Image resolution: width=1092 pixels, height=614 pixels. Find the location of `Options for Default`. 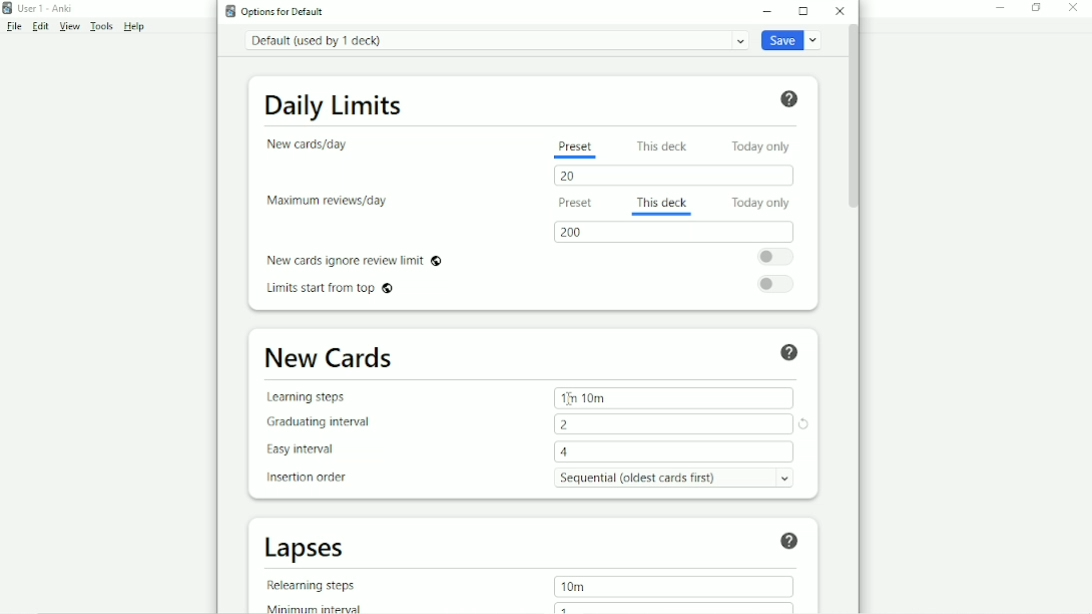

Options for Default is located at coordinates (275, 11).